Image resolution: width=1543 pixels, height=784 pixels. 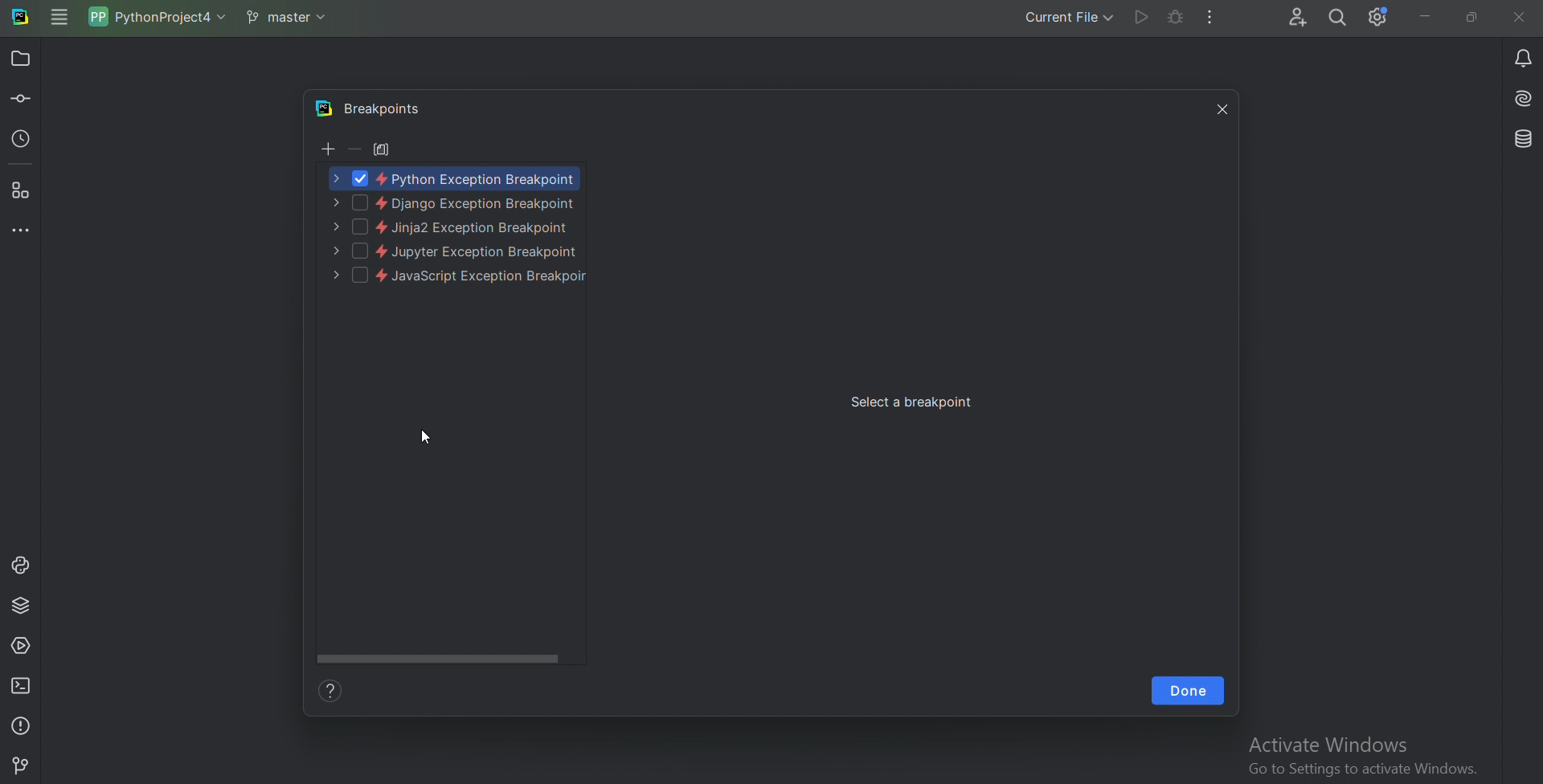 I want to click on Windows information, so click(x=1361, y=757).